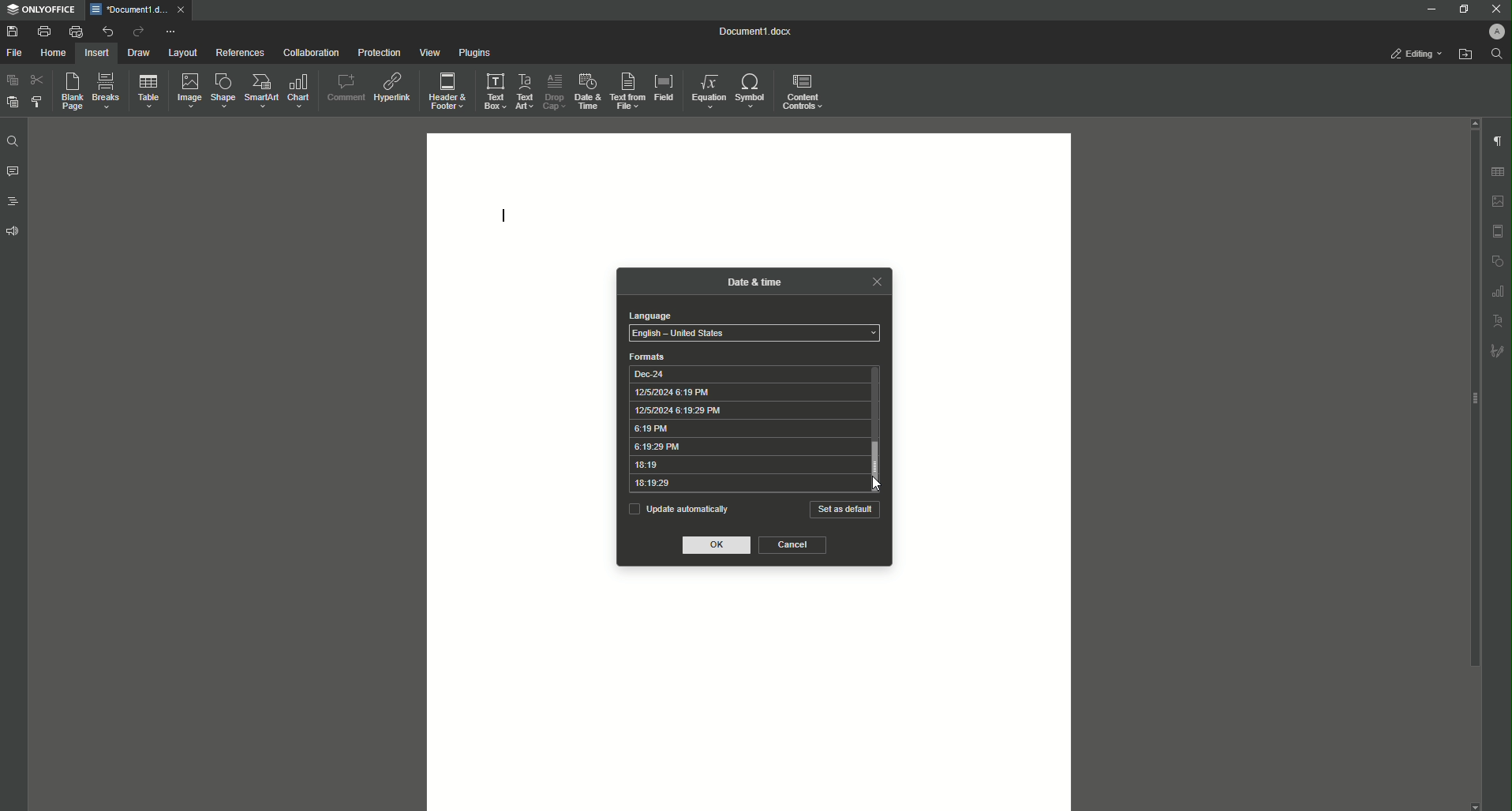  What do you see at coordinates (747, 373) in the screenshot?
I see `Dec-24` at bounding box center [747, 373].